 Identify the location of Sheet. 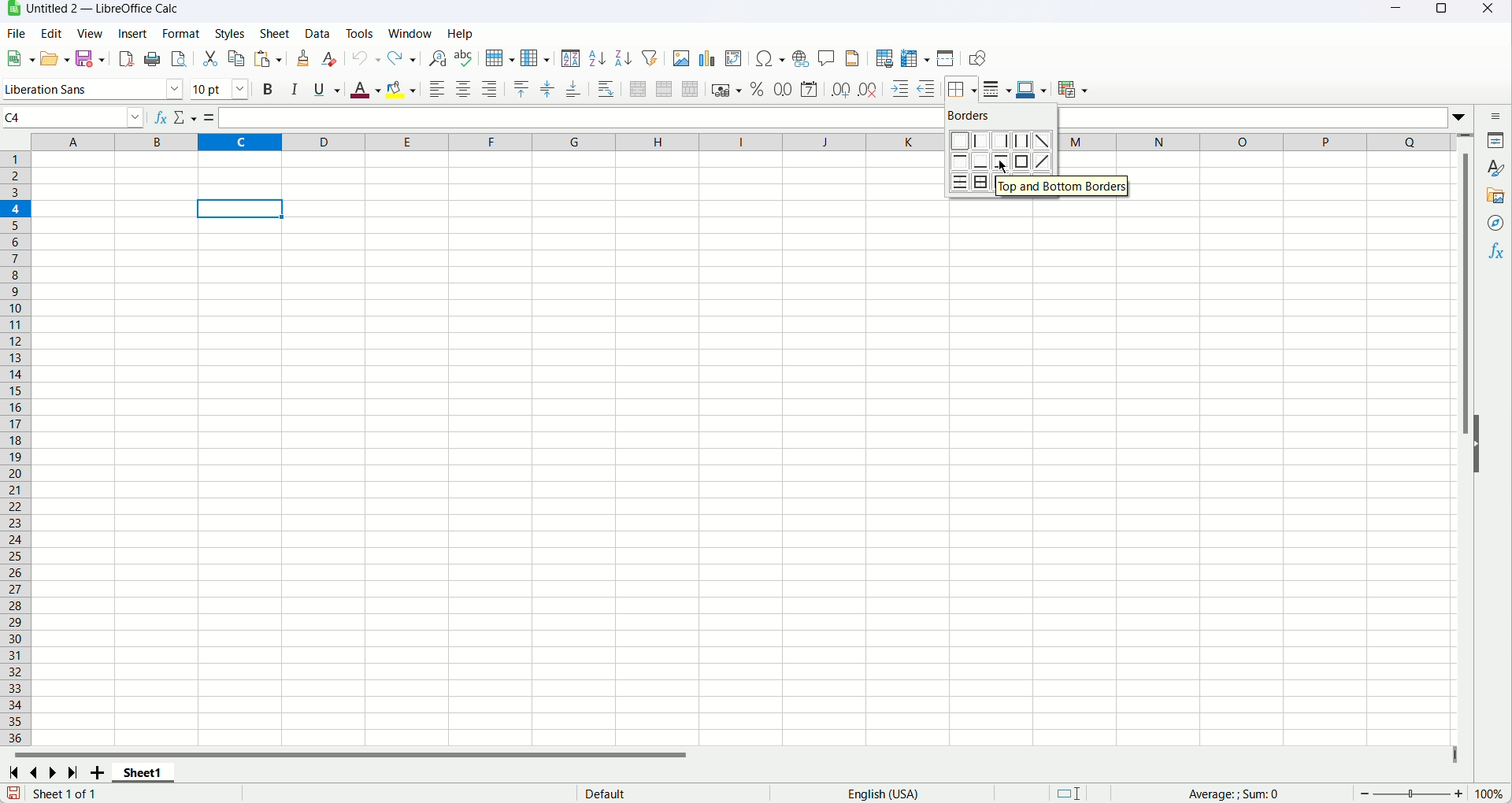
(274, 34).